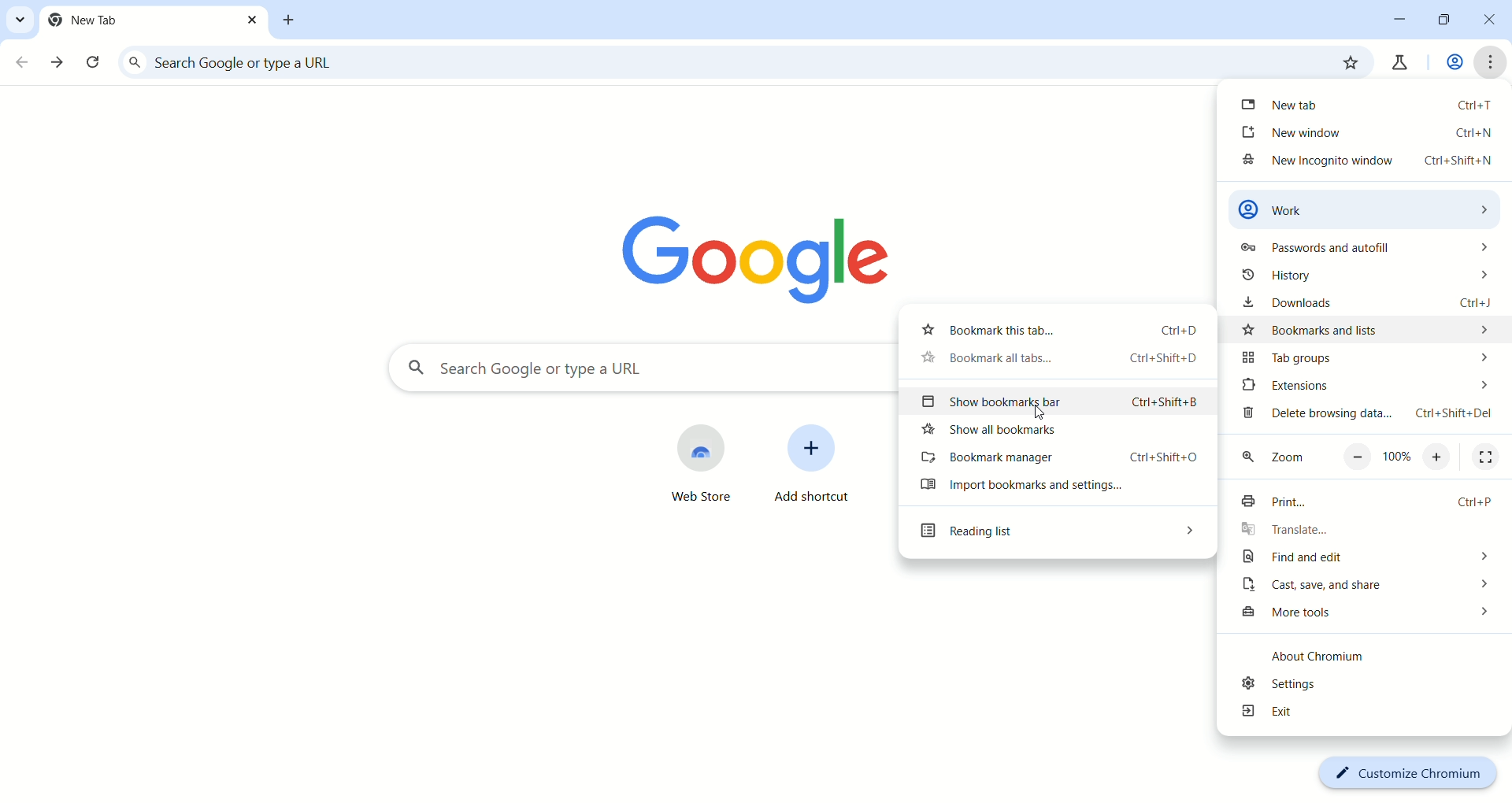 The height and width of the screenshot is (803, 1512). Describe the element at coordinates (1368, 103) in the screenshot. I see `new tab` at that location.